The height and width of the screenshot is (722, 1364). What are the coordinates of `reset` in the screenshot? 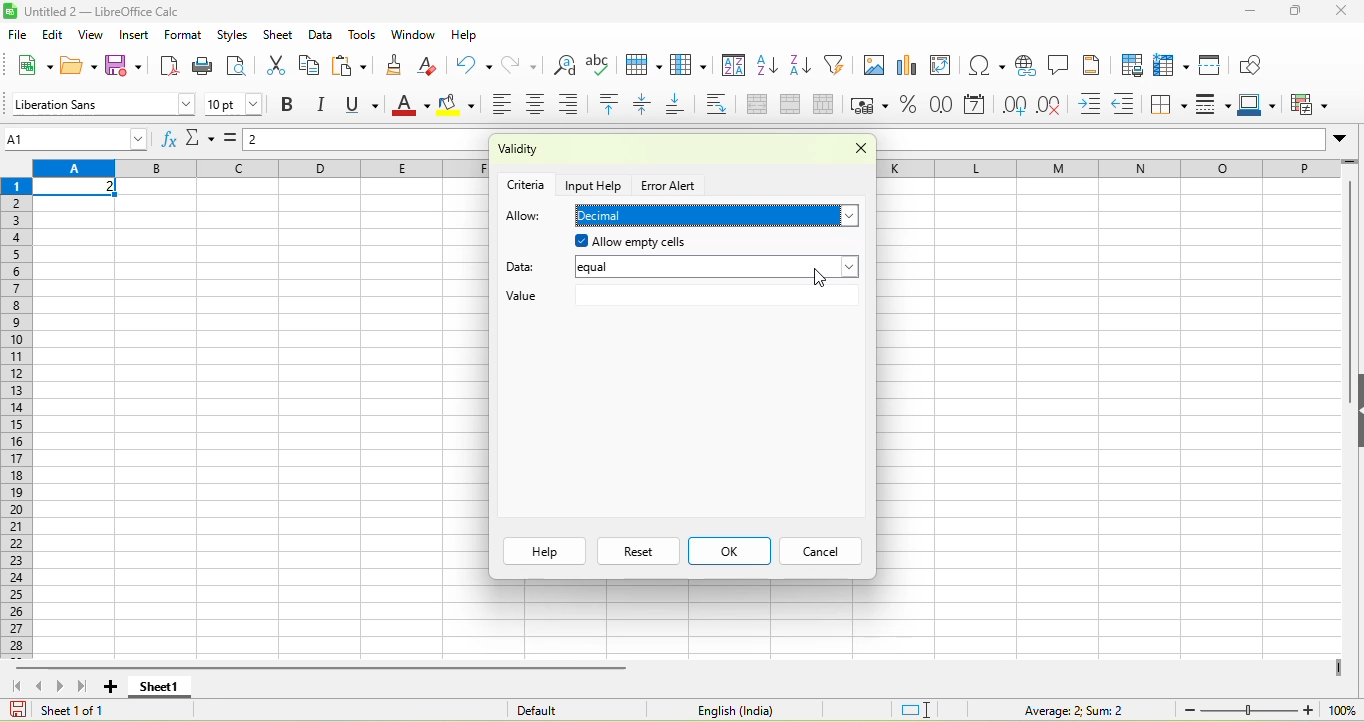 It's located at (638, 551).